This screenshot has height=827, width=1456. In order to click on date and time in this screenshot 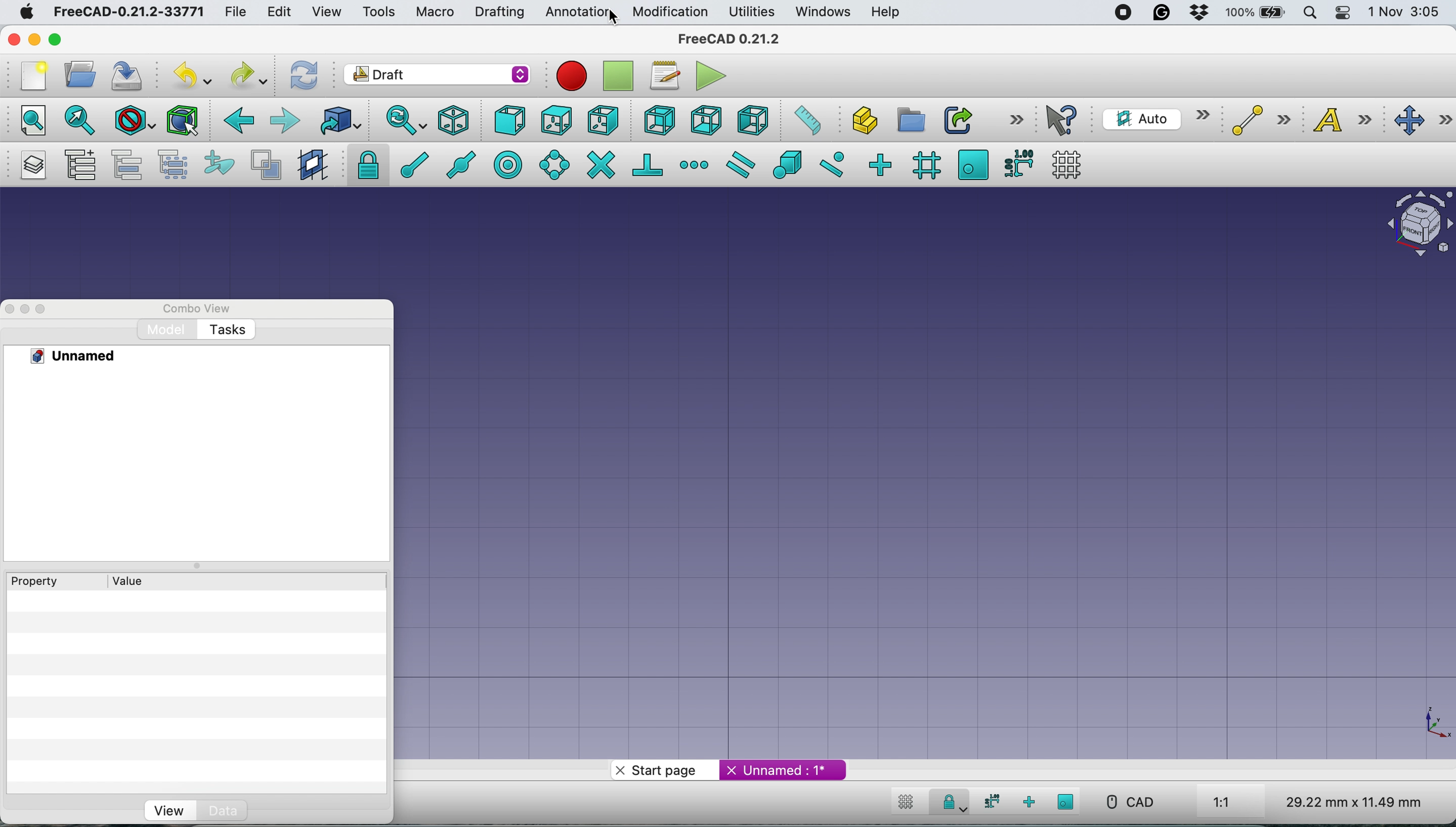, I will do `click(1408, 11)`.